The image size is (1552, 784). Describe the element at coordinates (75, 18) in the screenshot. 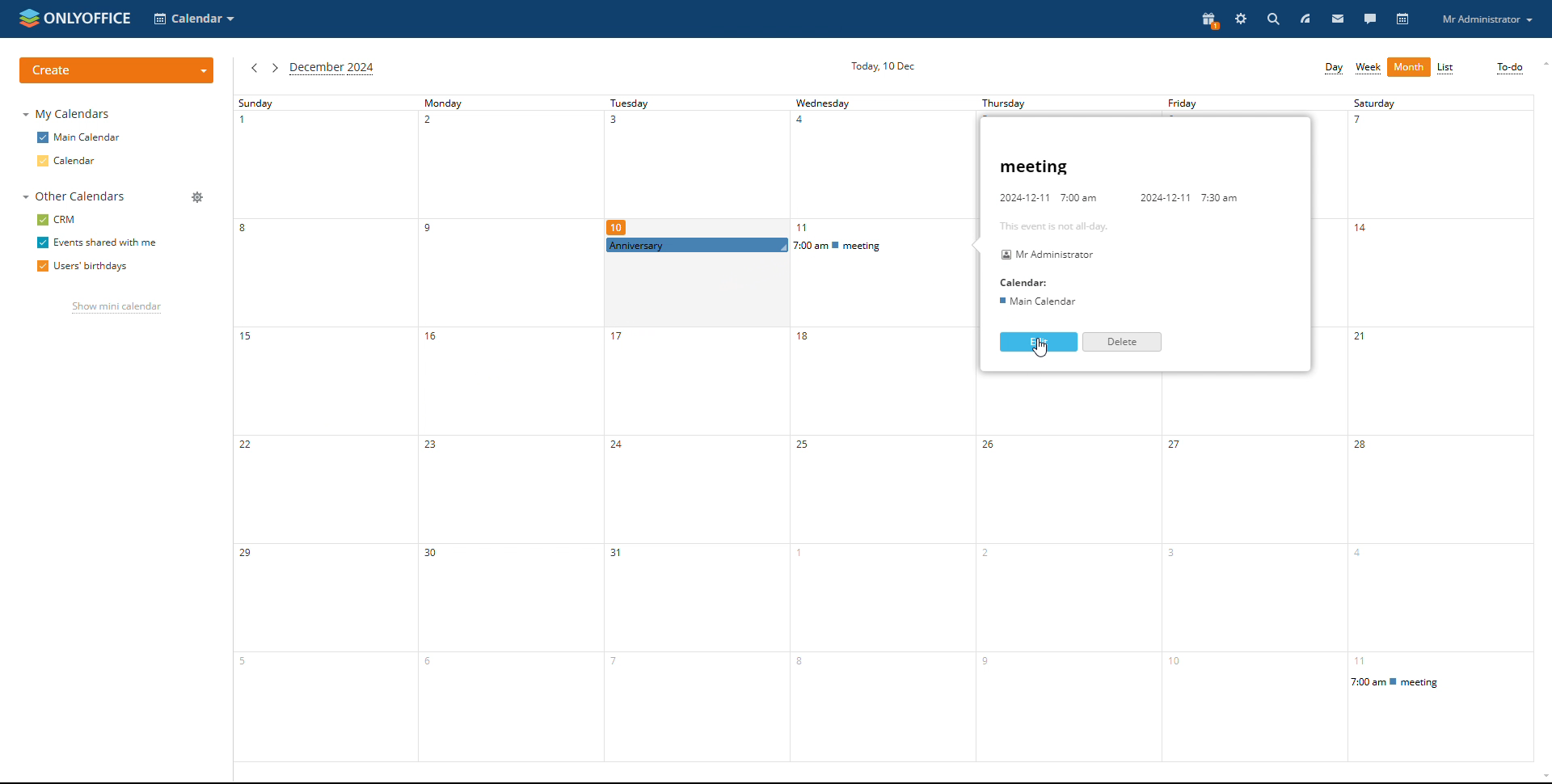

I see `logo` at that location.